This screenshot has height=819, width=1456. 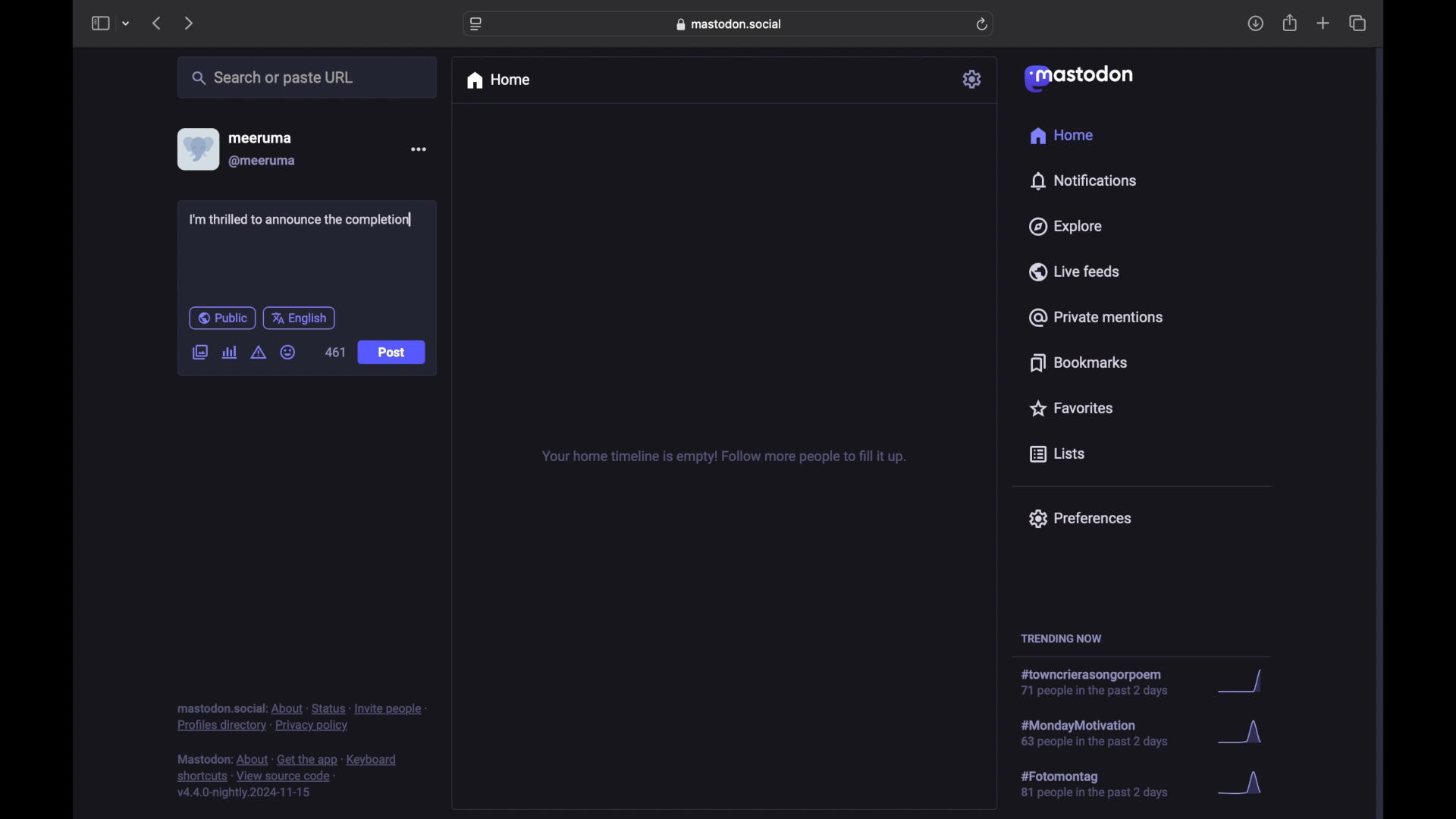 I want to click on hashtag trend, so click(x=1100, y=682).